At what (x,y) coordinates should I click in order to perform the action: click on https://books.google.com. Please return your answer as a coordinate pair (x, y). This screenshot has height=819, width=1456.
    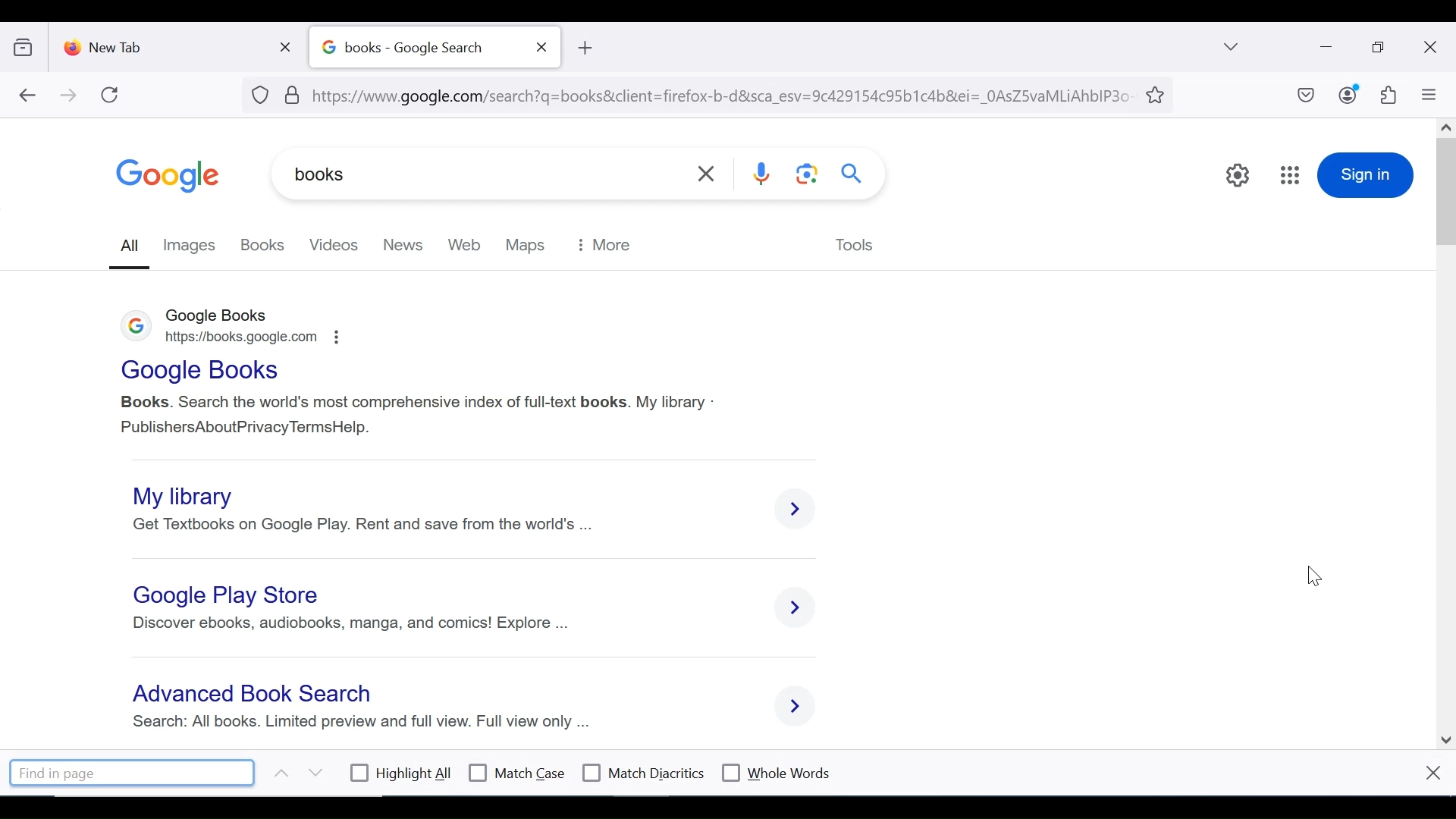
    Looking at the image, I should click on (255, 337).